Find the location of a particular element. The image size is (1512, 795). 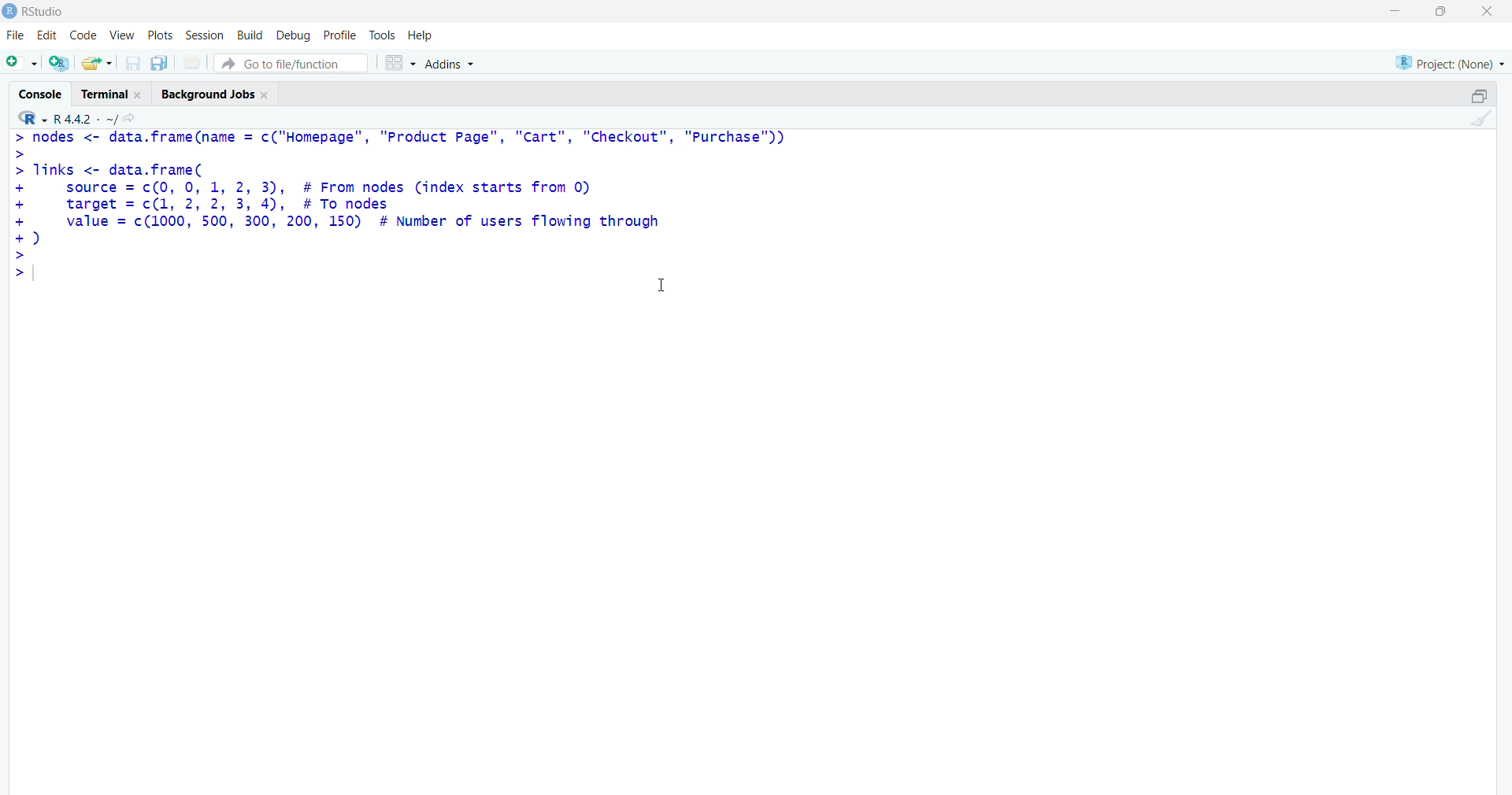

background jobs is located at coordinates (219, 96).